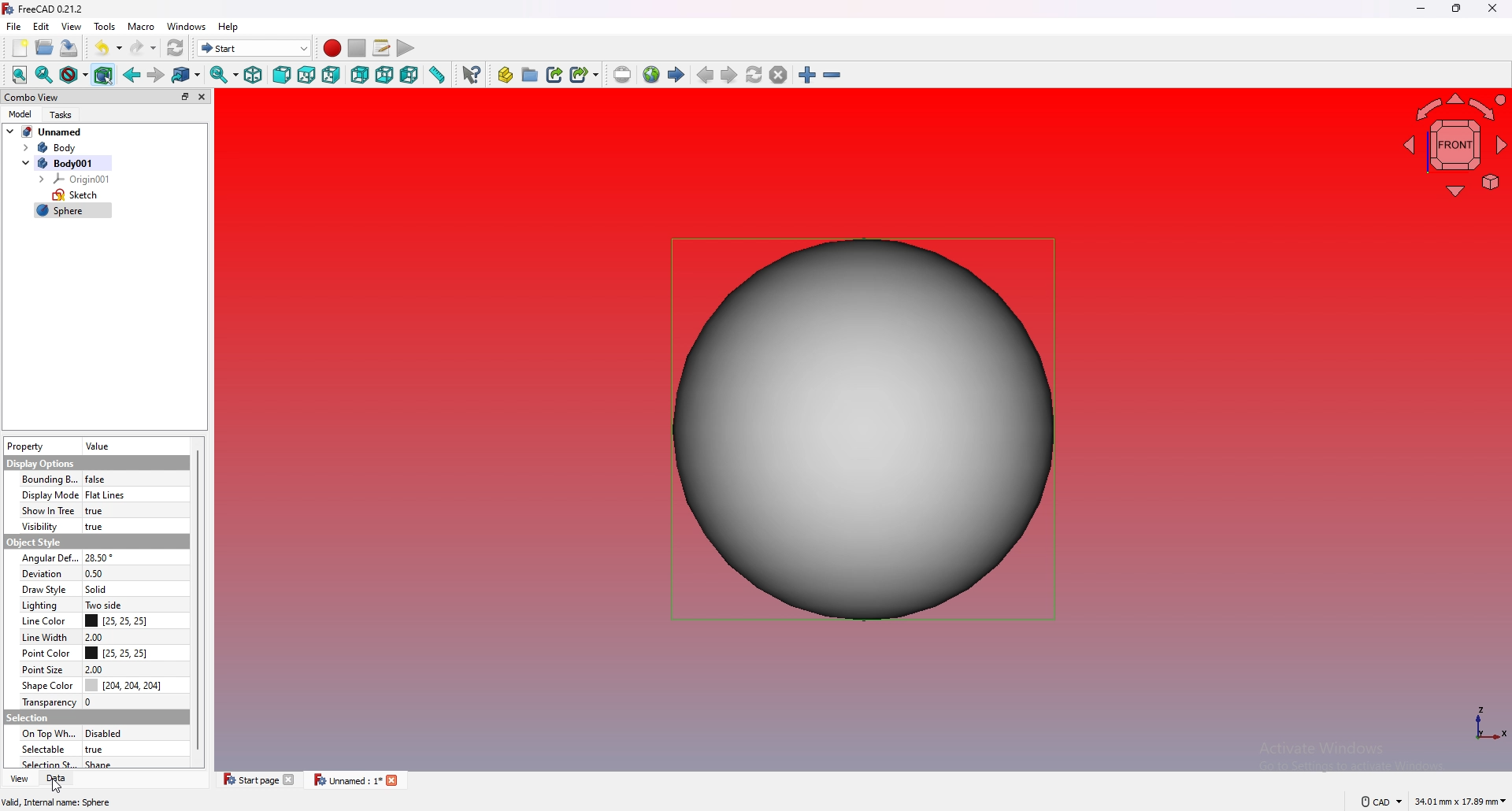  I want to click on isometric, so click(253, 75).